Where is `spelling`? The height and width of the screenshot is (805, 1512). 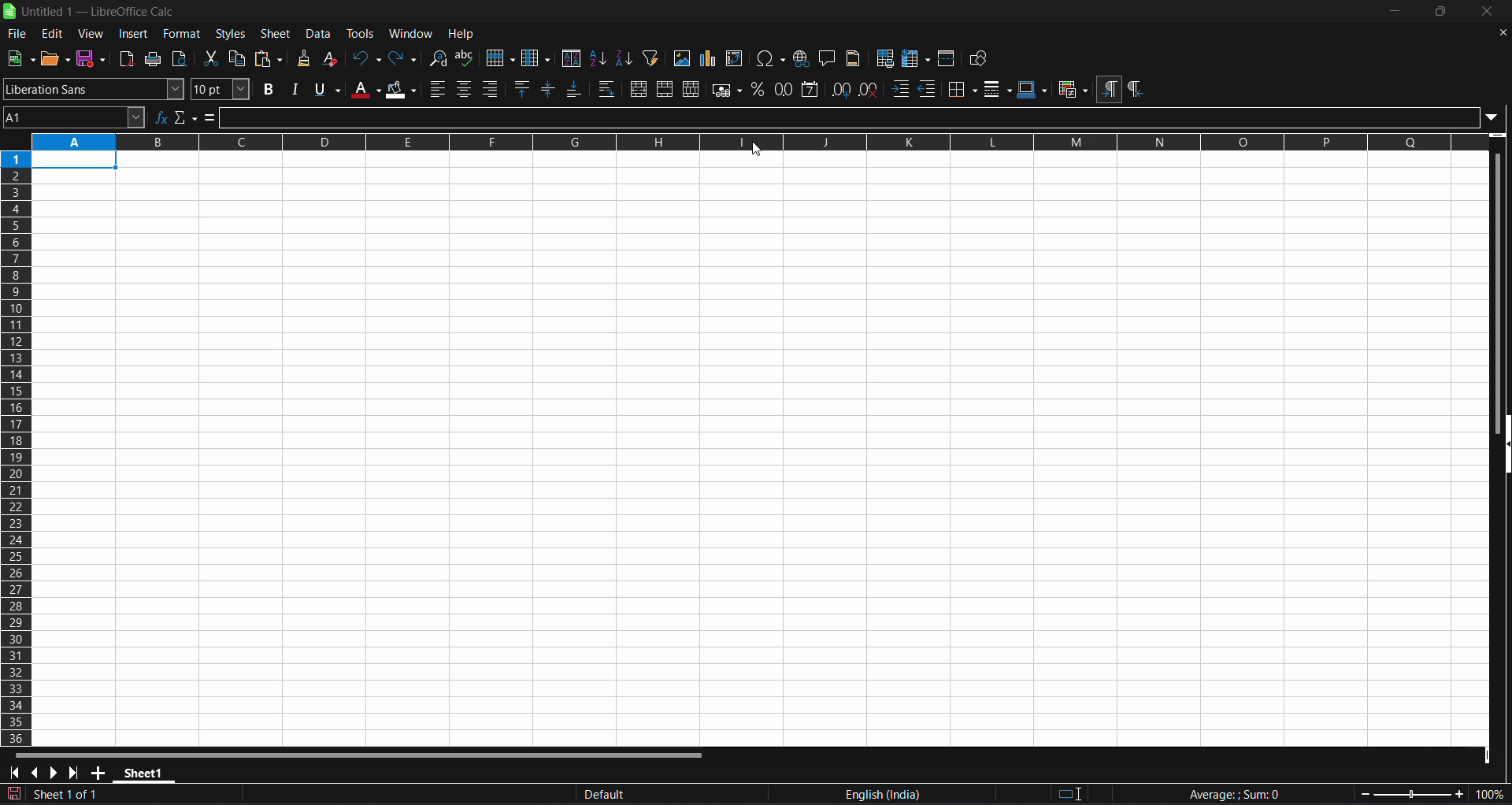 spelling is located at coordinates (468, 57).